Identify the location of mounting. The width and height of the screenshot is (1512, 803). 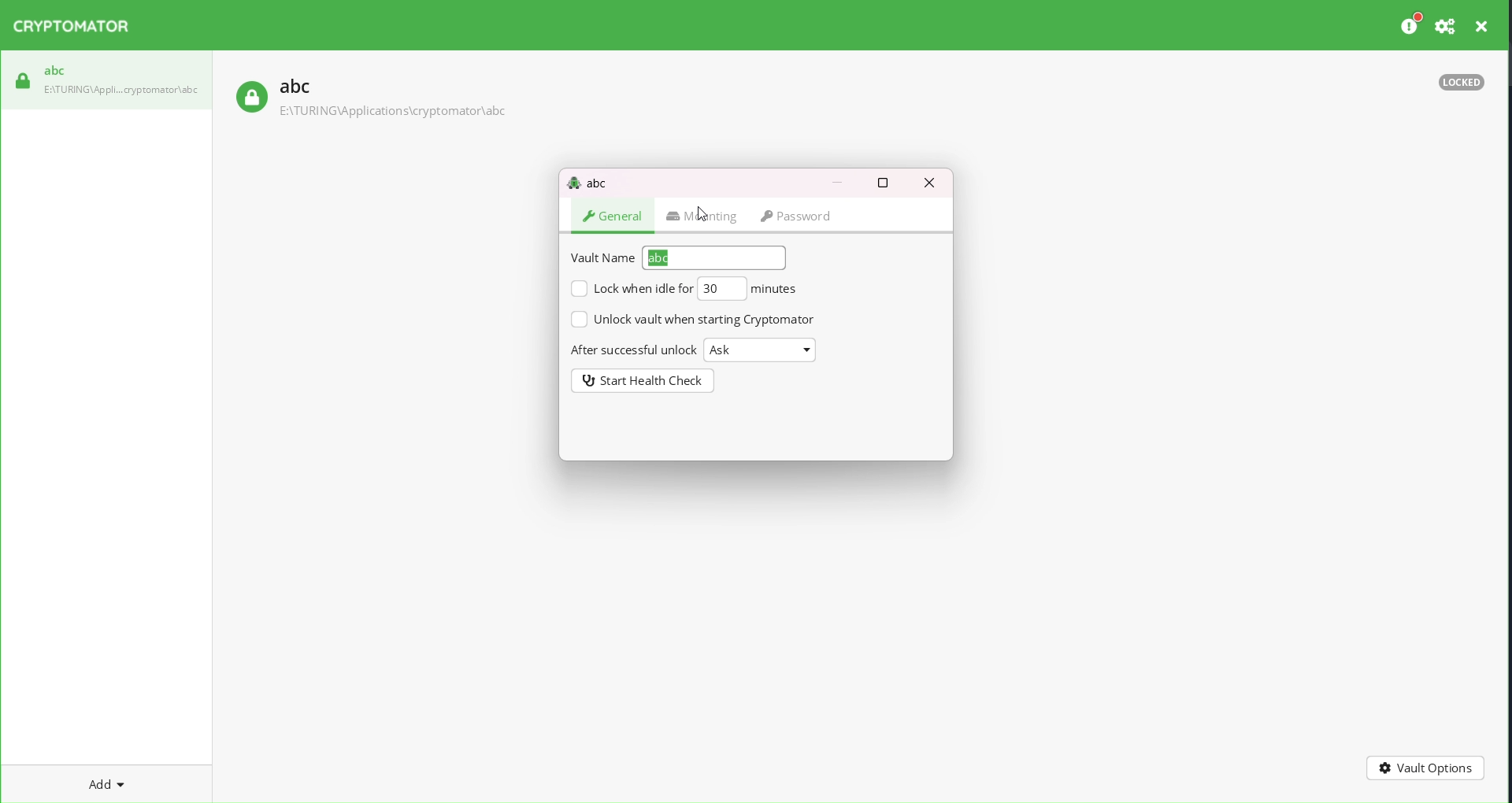
(700, 214).